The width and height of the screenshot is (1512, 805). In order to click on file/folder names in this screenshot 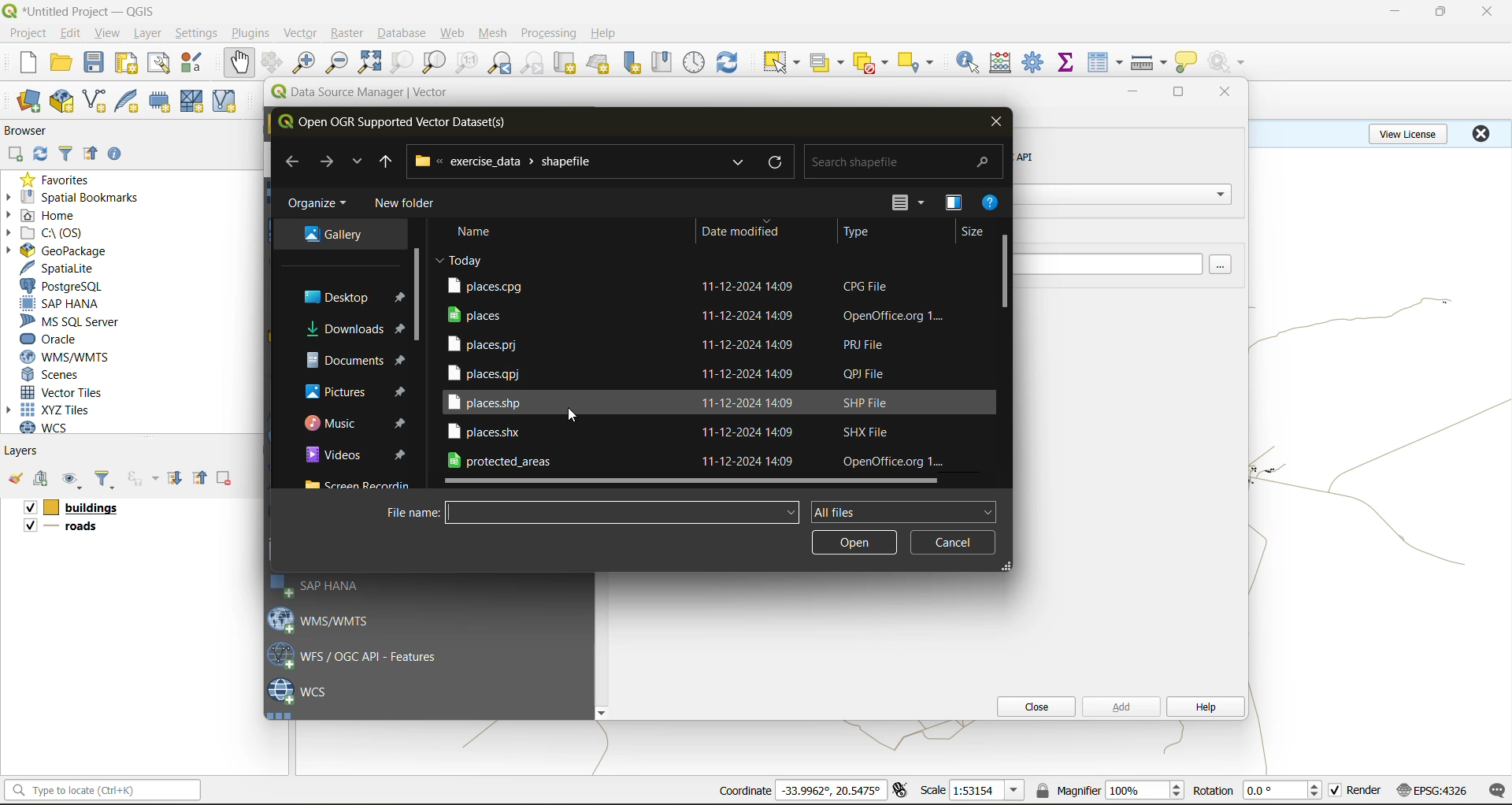, I will do `click(669, 373)`.